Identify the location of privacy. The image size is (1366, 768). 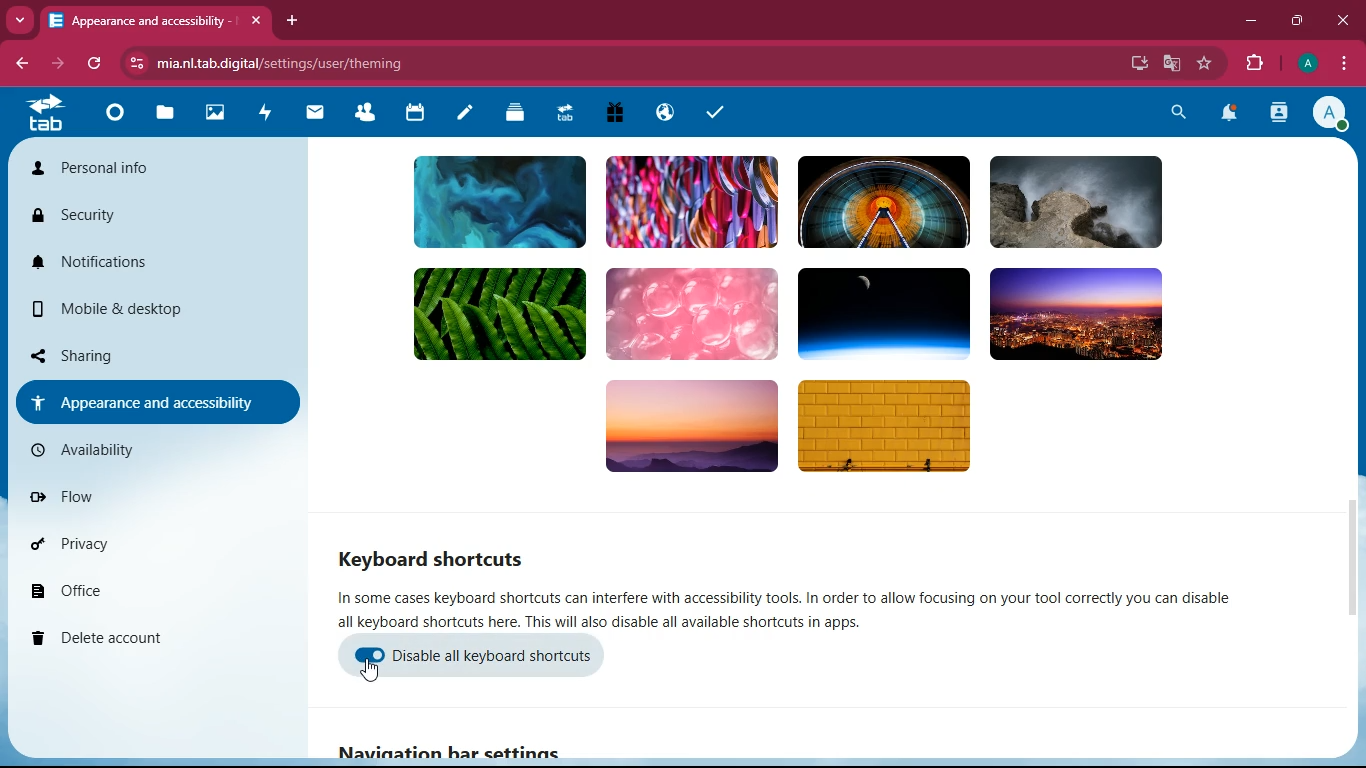
(153, 546).